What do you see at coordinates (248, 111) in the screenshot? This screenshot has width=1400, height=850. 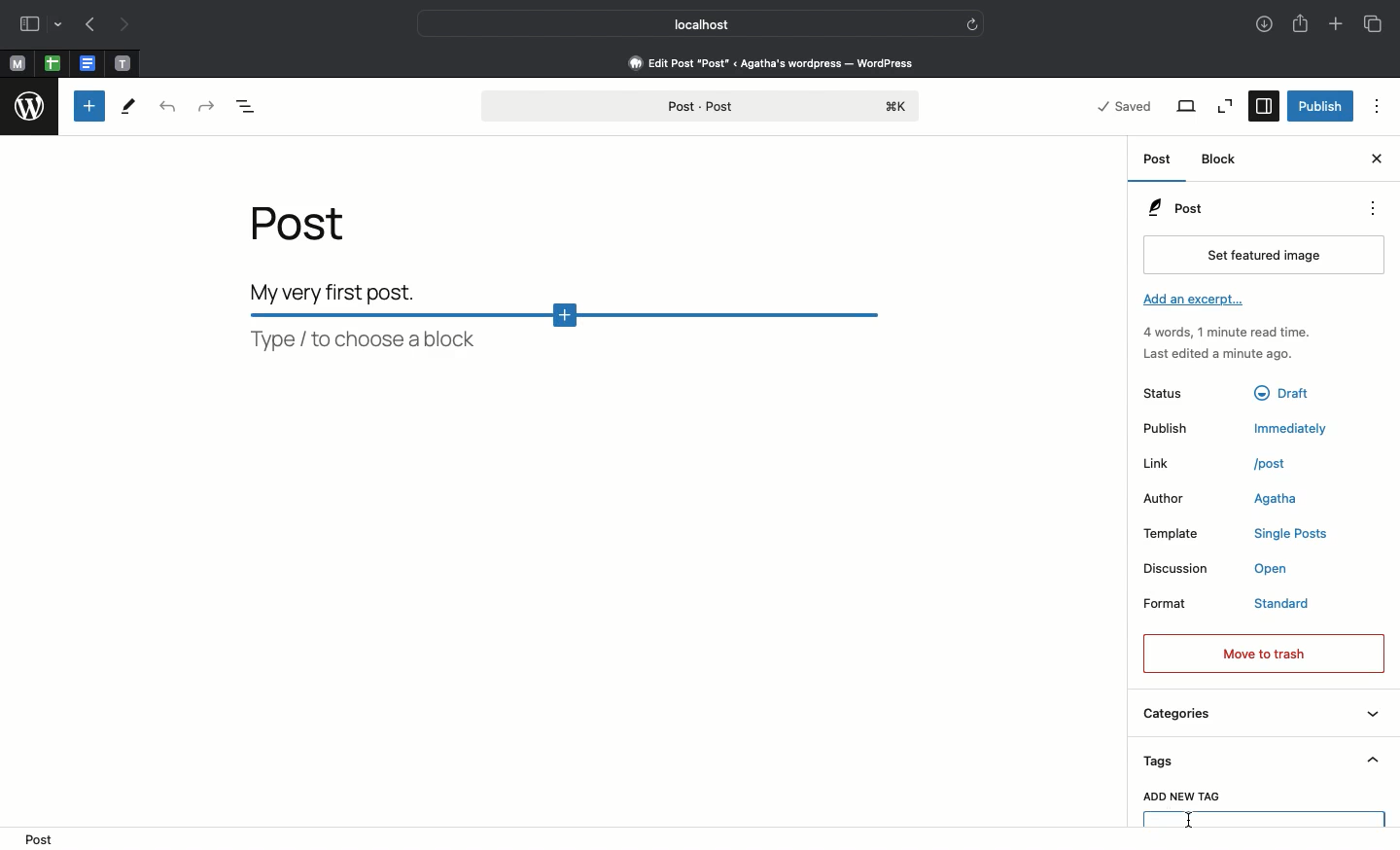 I see `Document overview` at bounding box center [248, 111].